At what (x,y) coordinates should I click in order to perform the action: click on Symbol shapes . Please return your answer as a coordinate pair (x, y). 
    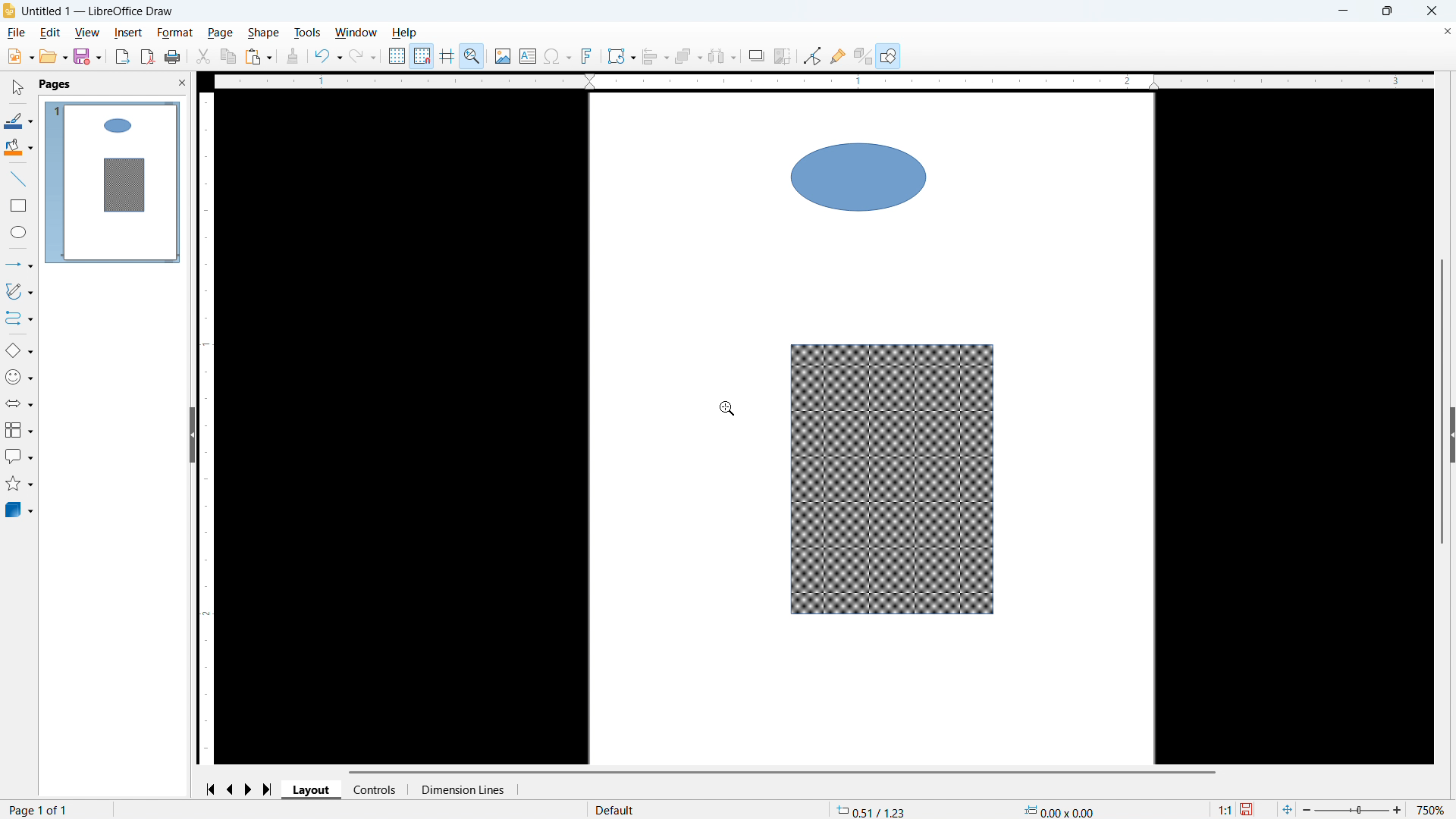
    Looking at the image, I should click on (20, 378).